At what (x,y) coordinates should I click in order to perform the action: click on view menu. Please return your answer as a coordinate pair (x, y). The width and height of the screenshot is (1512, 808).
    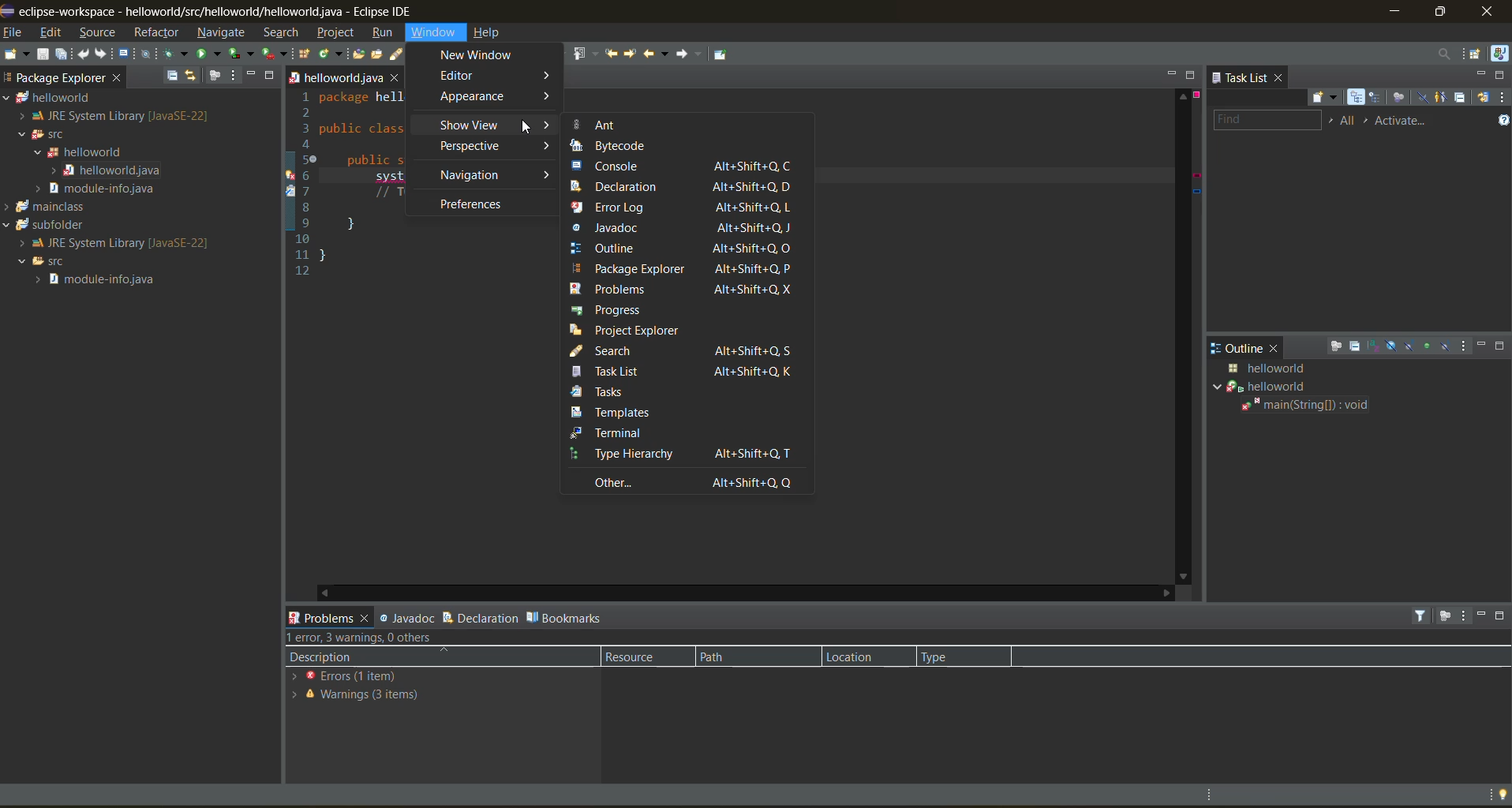
    Looking at the image, I should click on (235, 74).